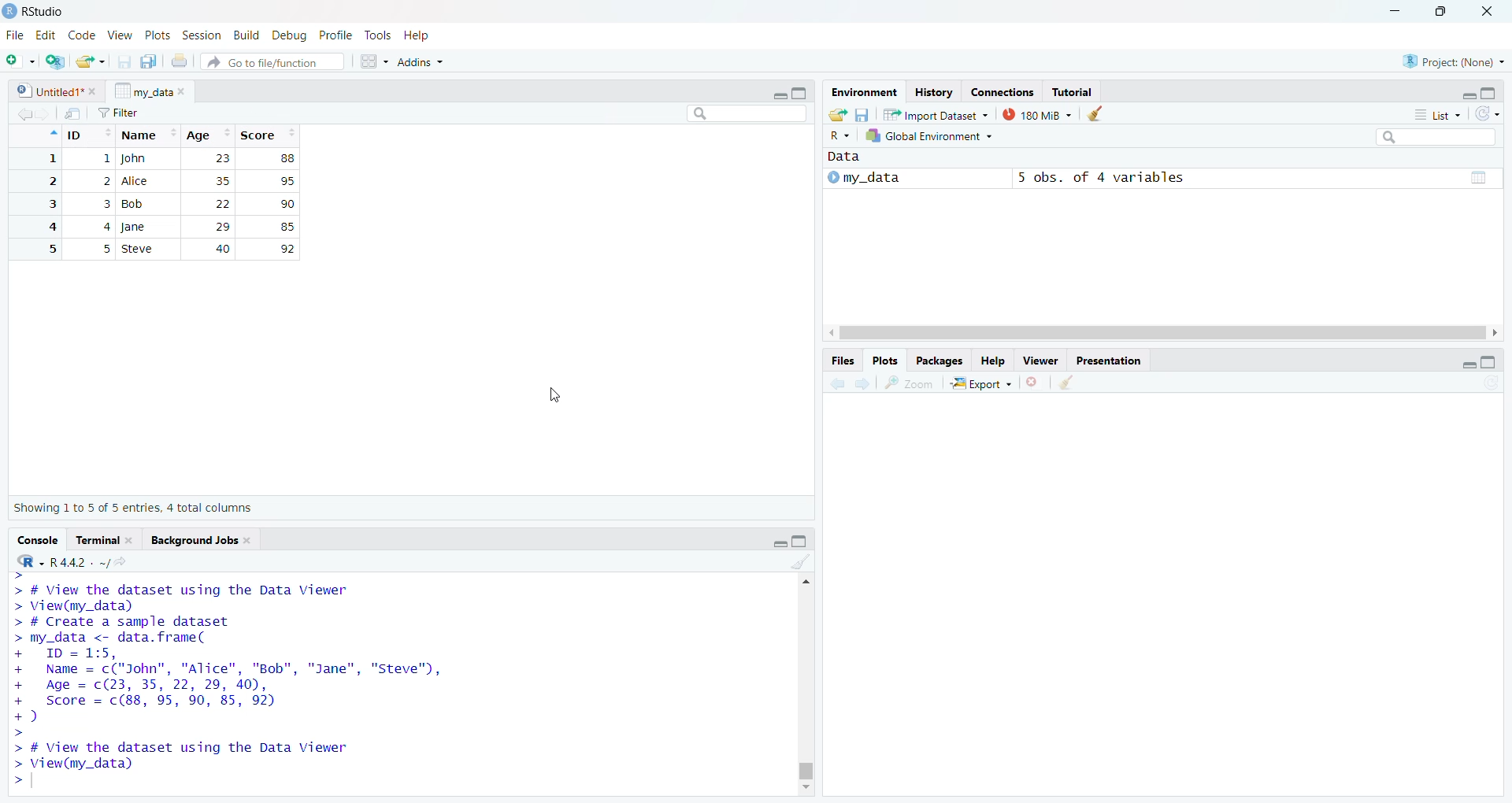  I want to click on Minimize, so click(780, 96).